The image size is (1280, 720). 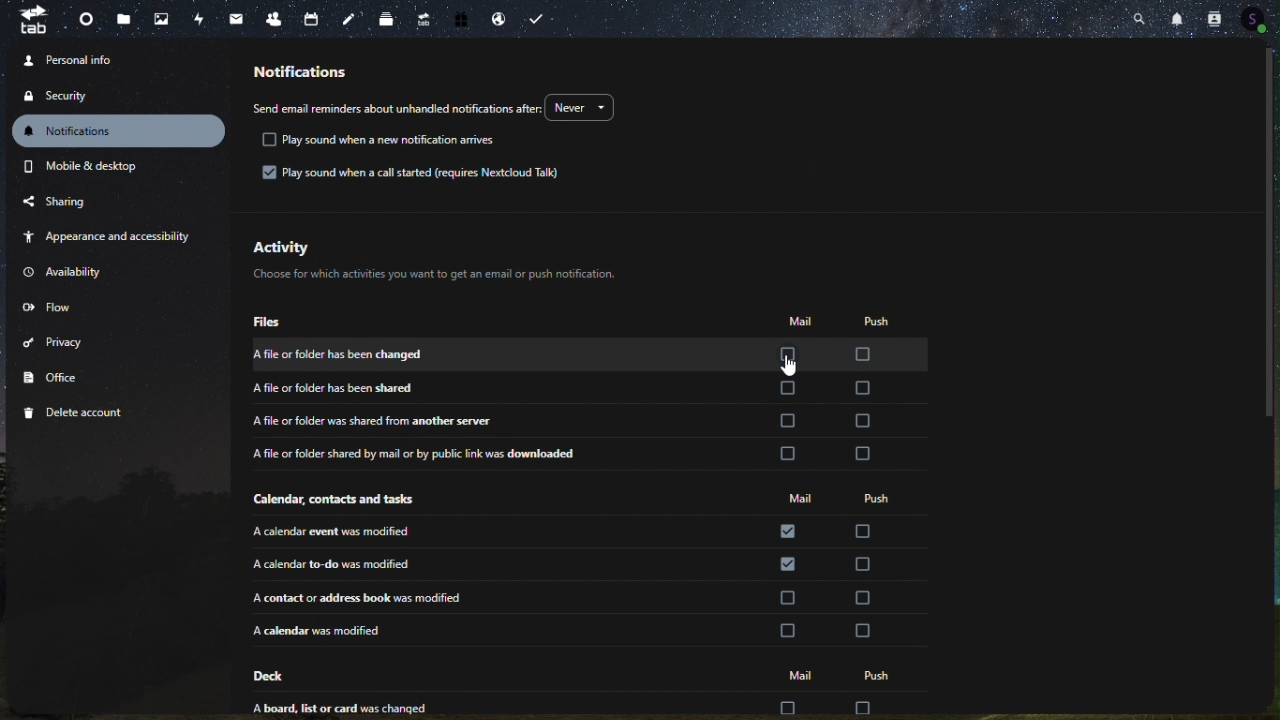 What do you see at coordinates (791, 455) in the screenshot?
I see `check box` at bounding box center [791, 455].